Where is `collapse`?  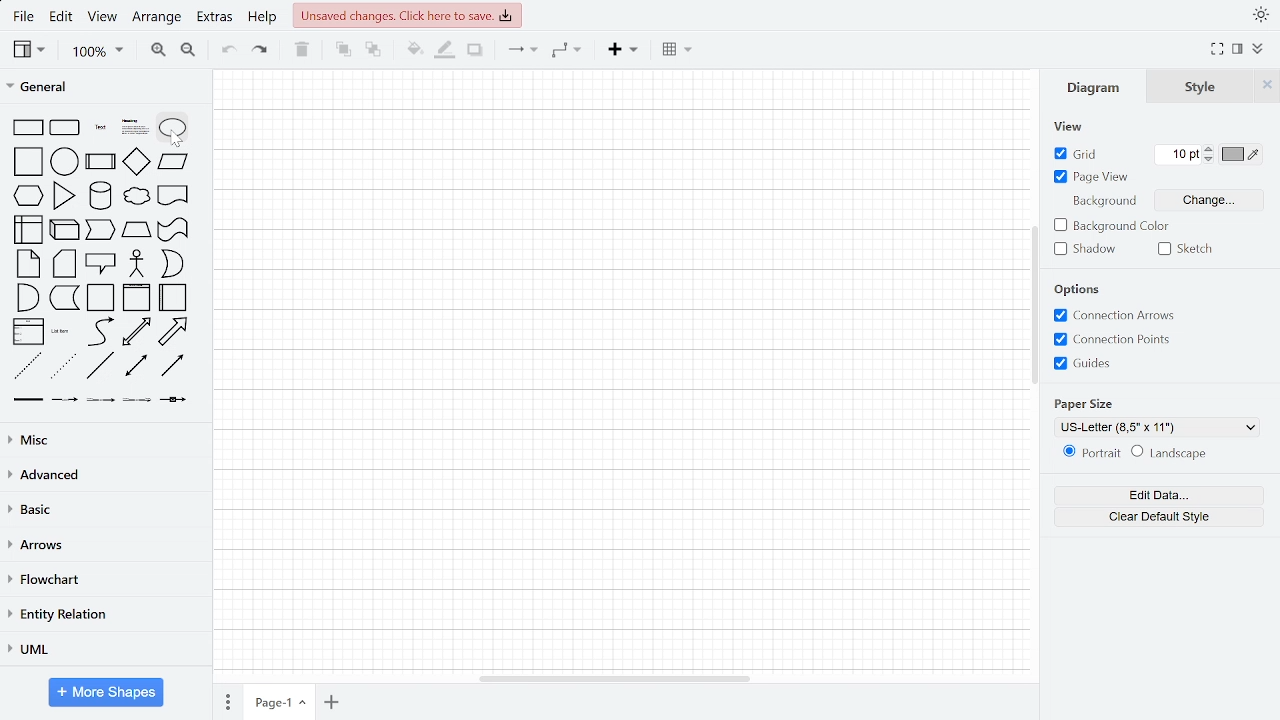
collapse is located at coordinates (1258, 49).